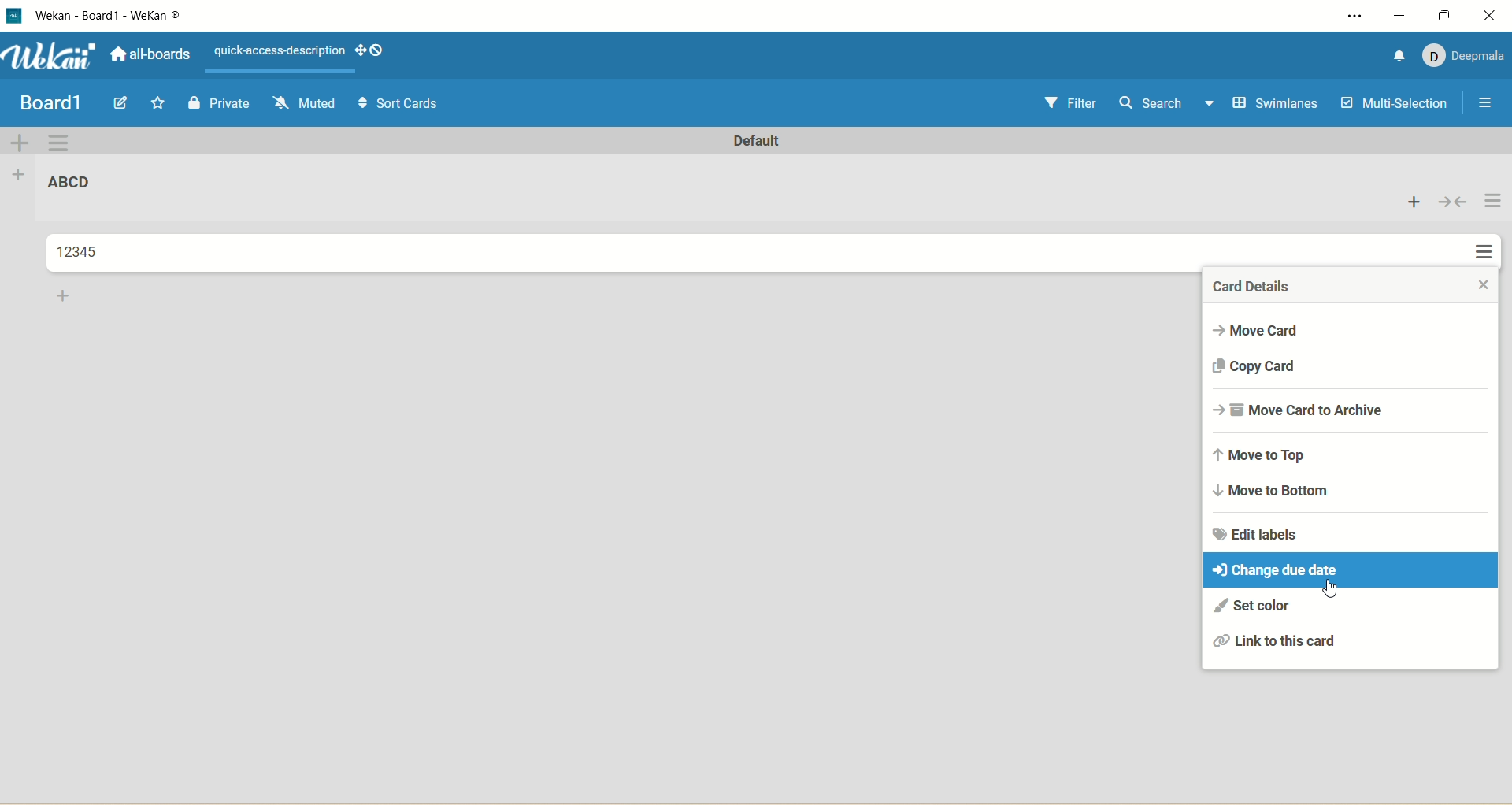  What do you see at coordinates (1353, 571) in the screenshot?
I see `change due date` at bounding box center [1353, 571].